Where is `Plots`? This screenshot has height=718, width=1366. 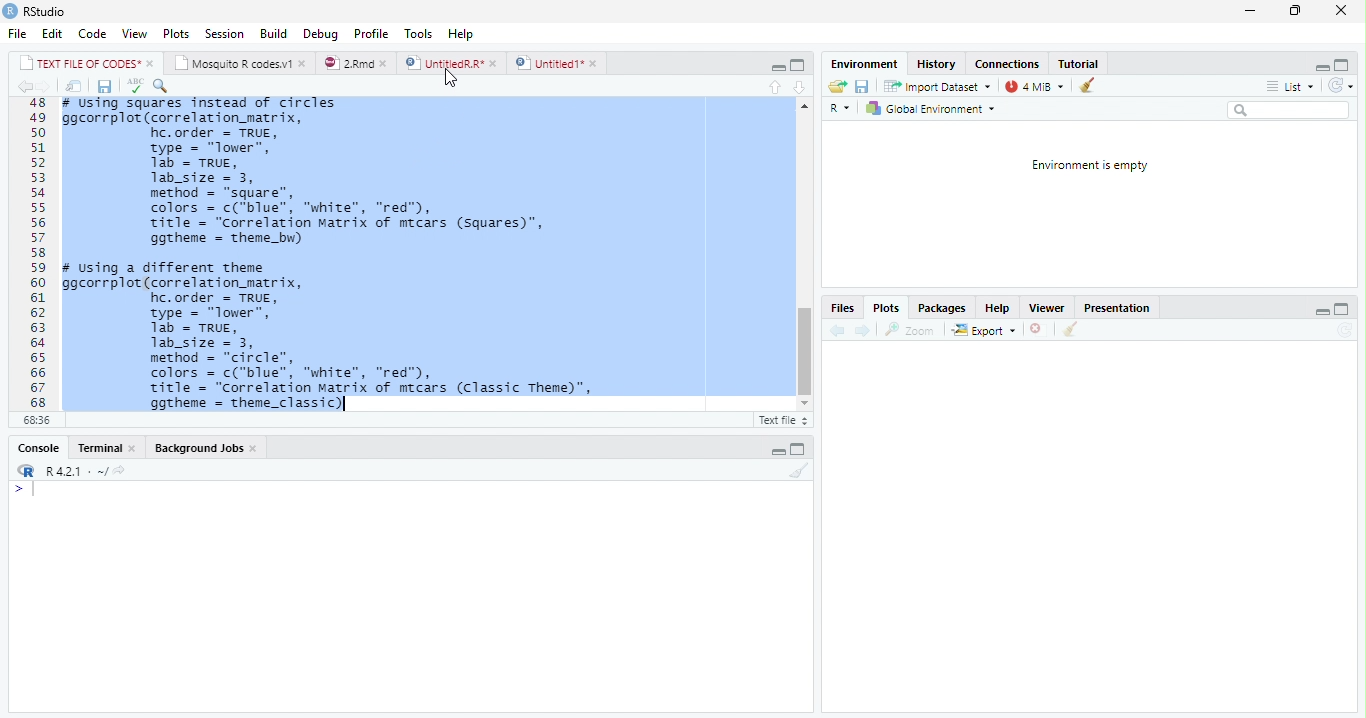
Plots is located at coordinates (888, 309).